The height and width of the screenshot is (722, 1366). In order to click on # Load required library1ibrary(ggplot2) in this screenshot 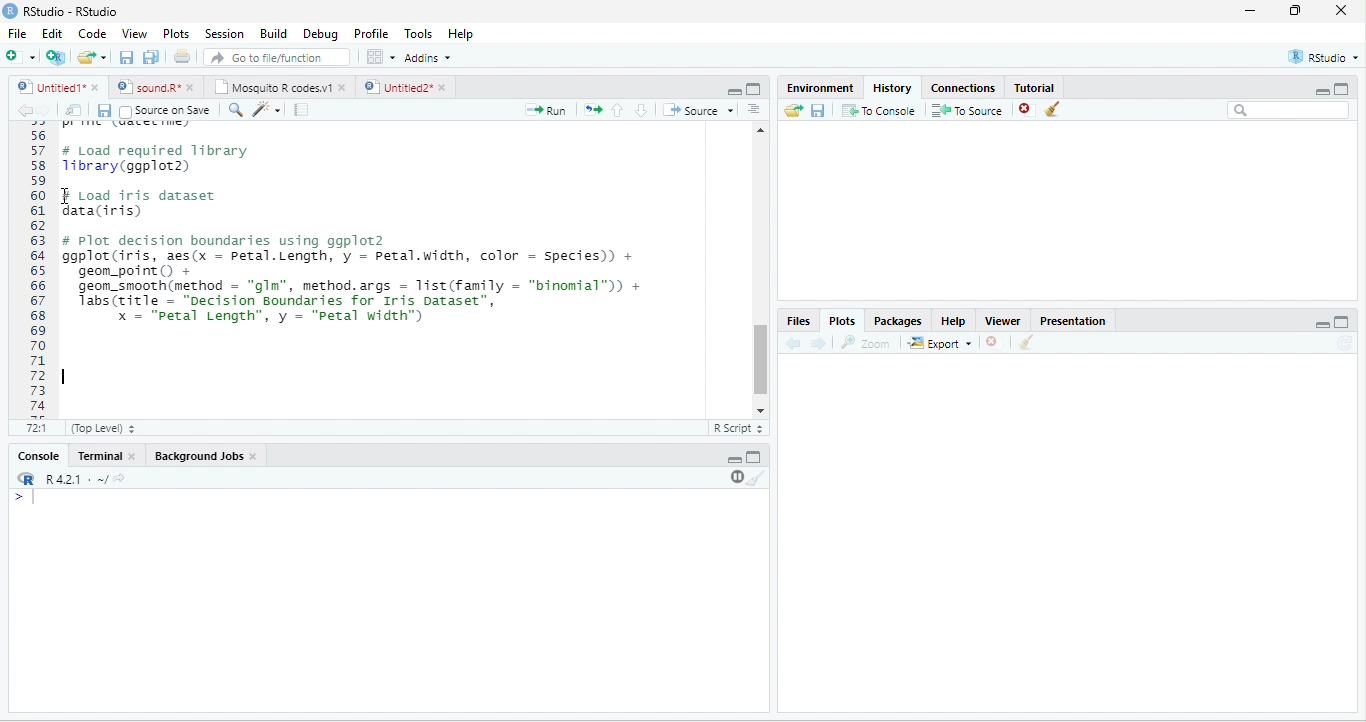, I will do `click(157, 159)`.